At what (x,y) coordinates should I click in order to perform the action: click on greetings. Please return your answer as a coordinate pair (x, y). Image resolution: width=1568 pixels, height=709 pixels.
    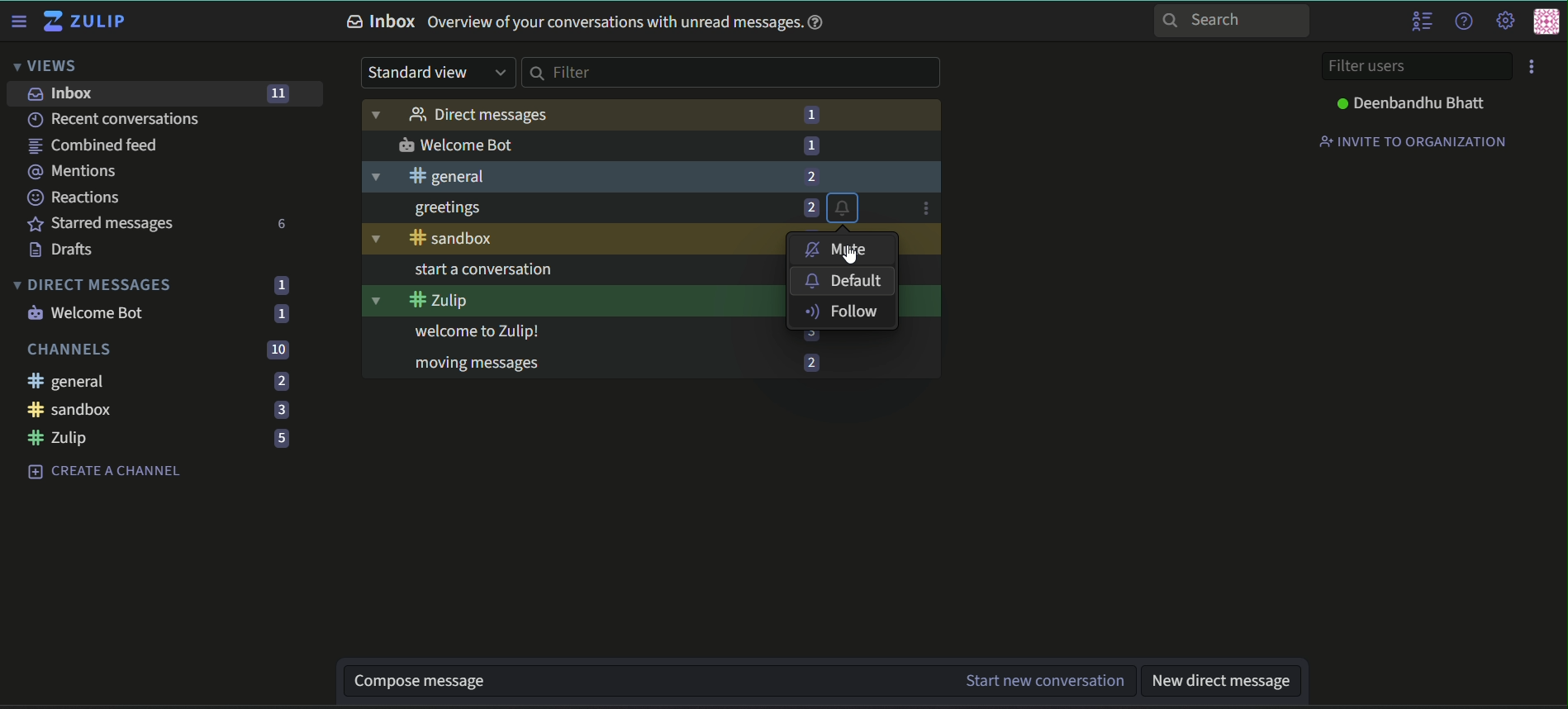
    Looking at the image, I should click on (592, 208).